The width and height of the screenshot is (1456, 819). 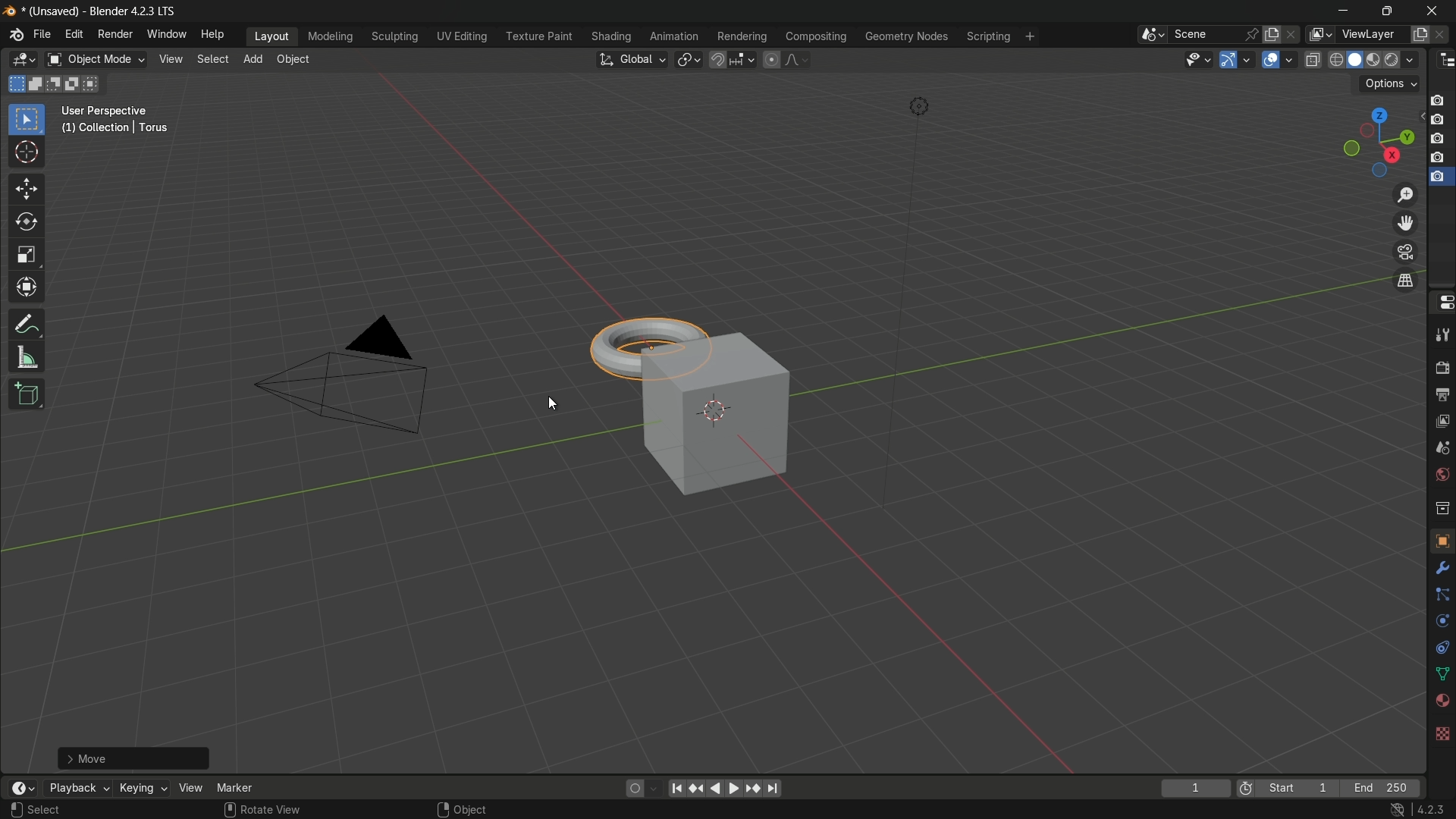 I want to click on End 250, so click(x=1379, y=788).